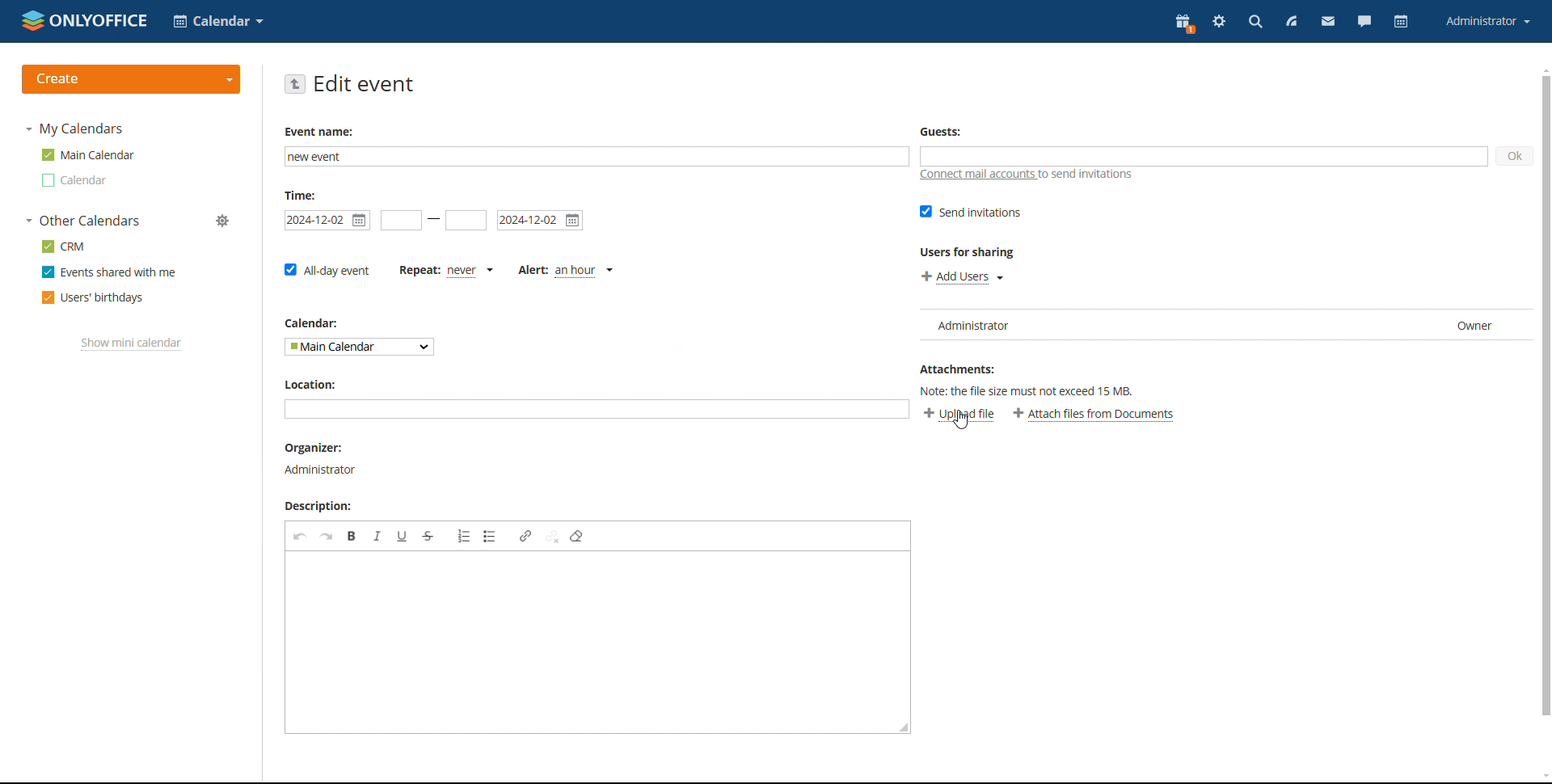 Image resolution: width=1552 pixels, height=784 pixels. I want to click on add guests, so click(1202, 156).